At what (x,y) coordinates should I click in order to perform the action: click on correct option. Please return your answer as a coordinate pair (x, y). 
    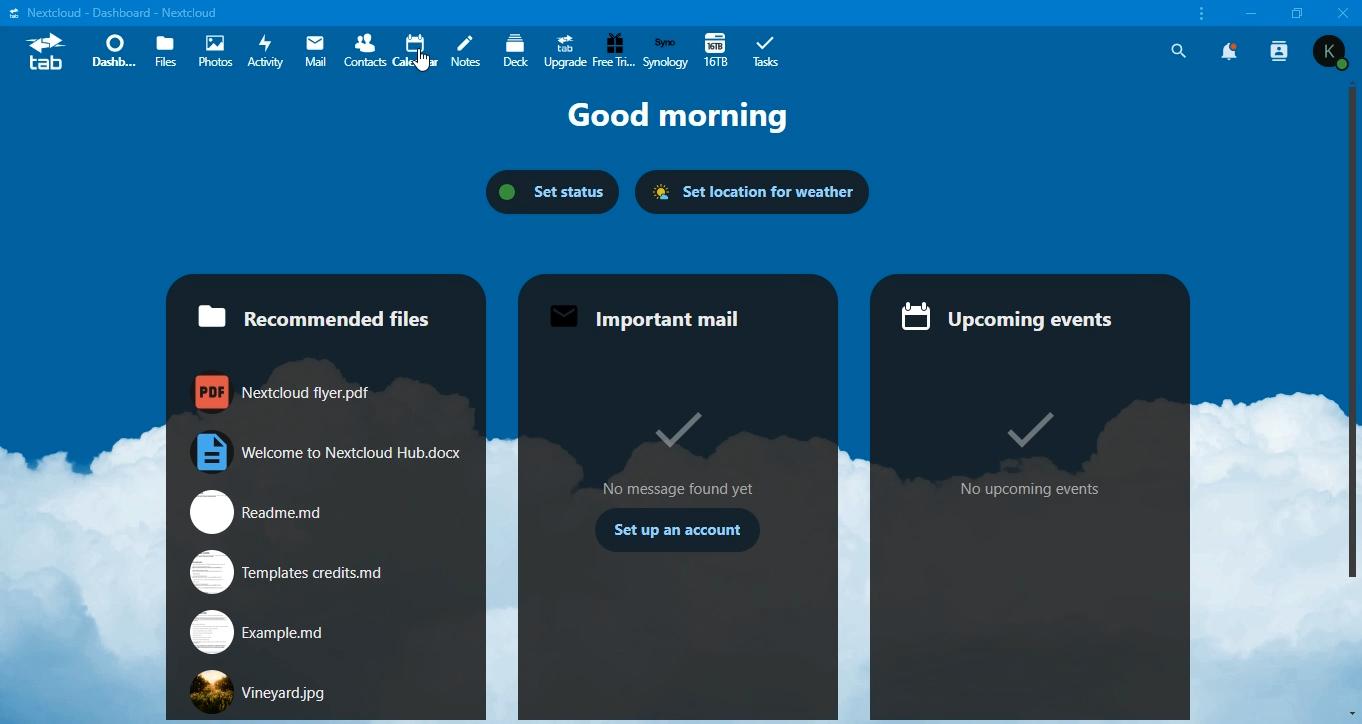
    Looking at the image, I should click on (672, 431).